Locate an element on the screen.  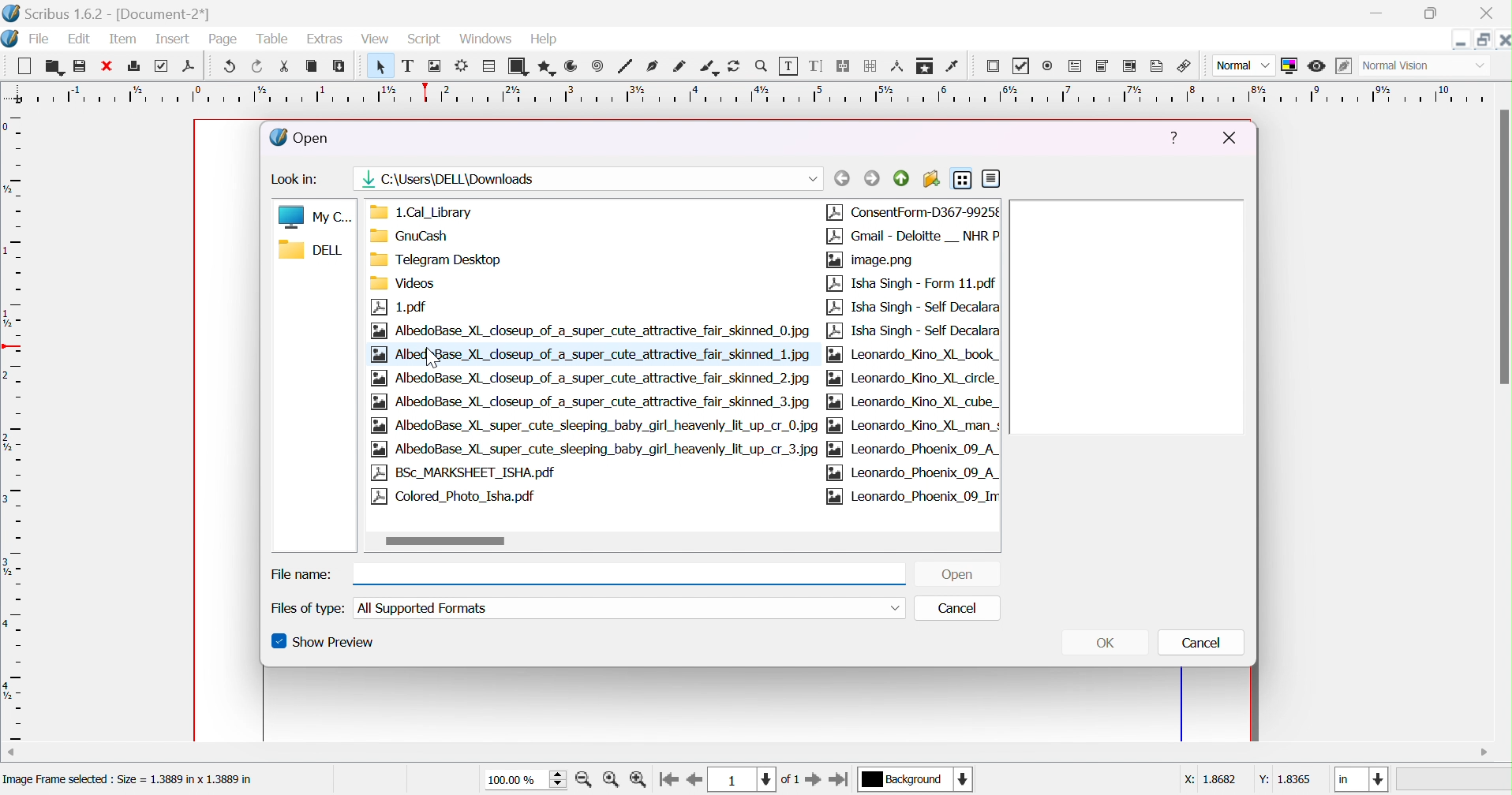
go to previous page is located at coordinates (693, 781).